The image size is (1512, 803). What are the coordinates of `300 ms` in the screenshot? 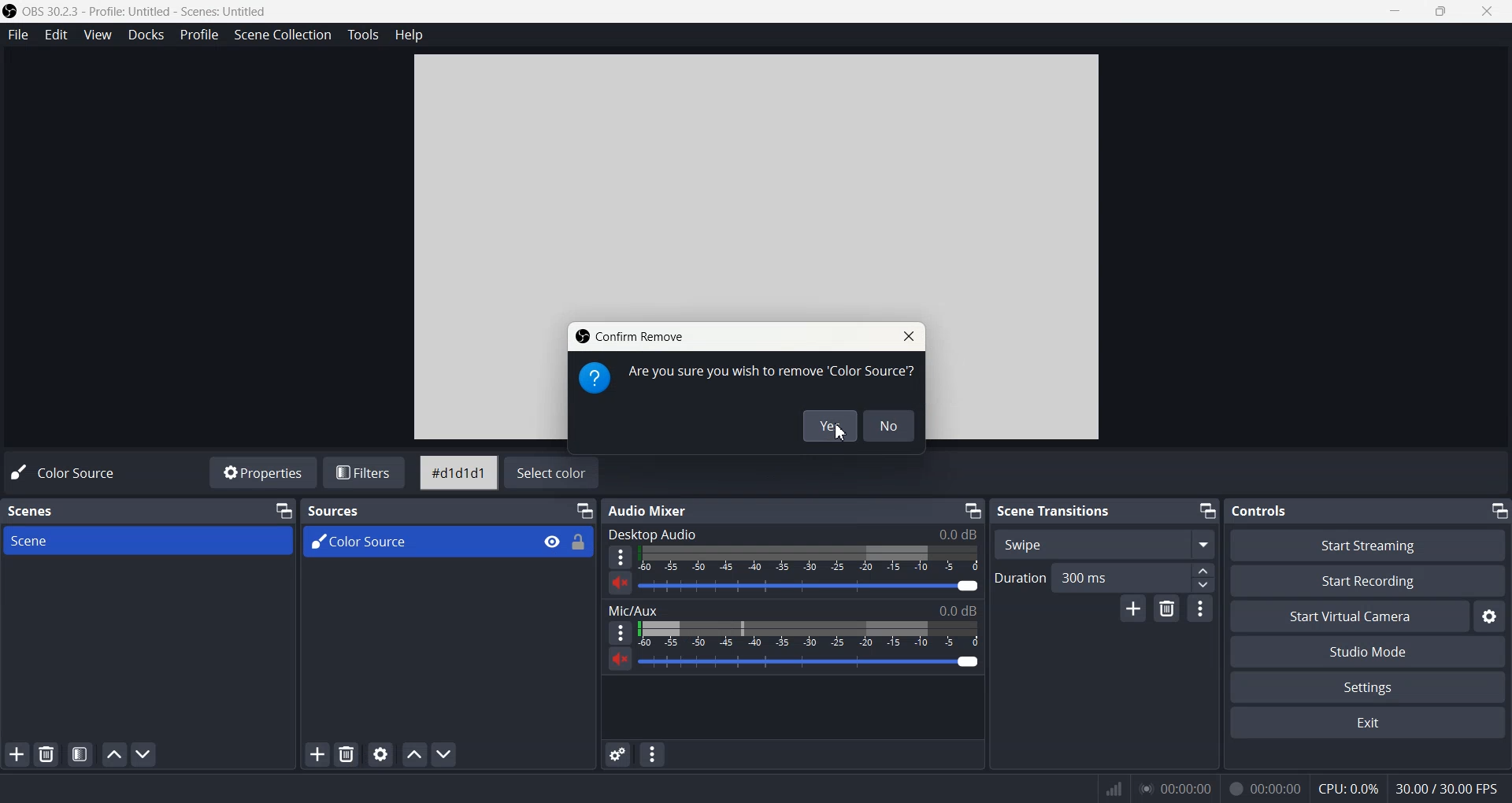 It's located at (1134, 576).